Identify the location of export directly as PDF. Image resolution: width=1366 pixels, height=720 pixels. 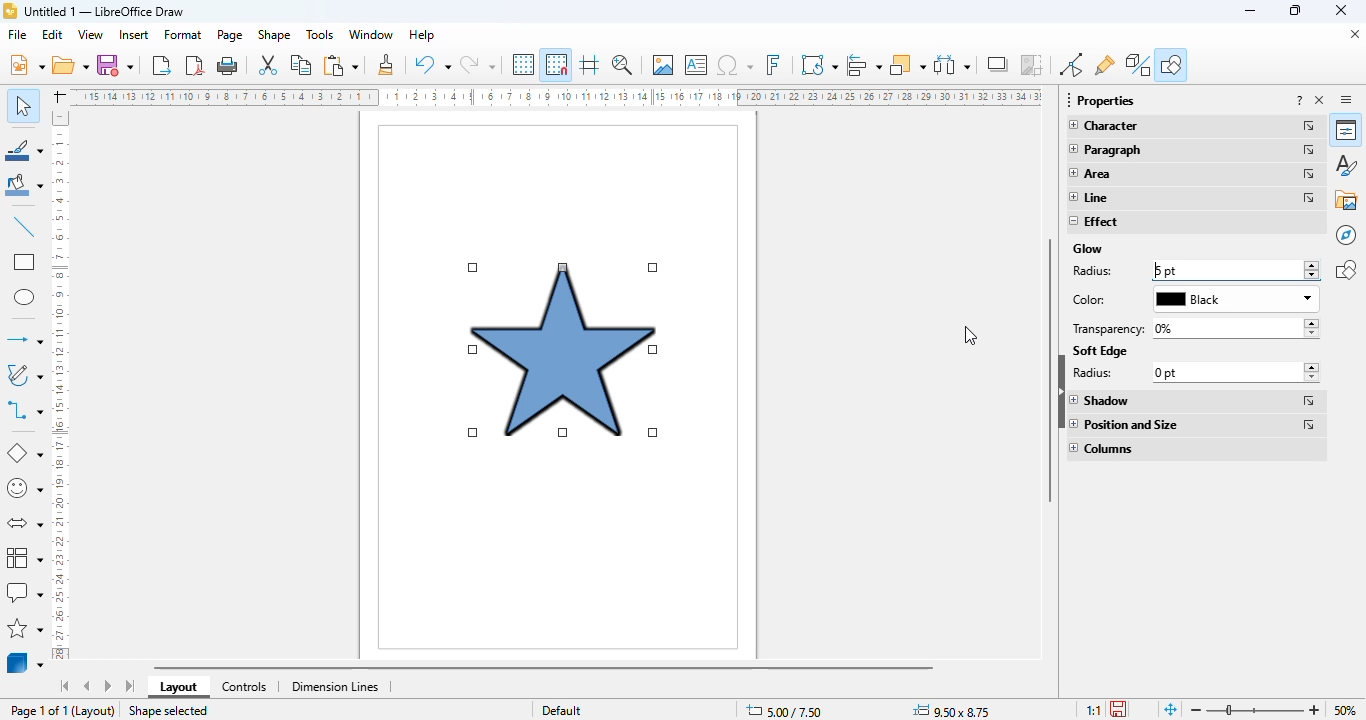
(196, 65).